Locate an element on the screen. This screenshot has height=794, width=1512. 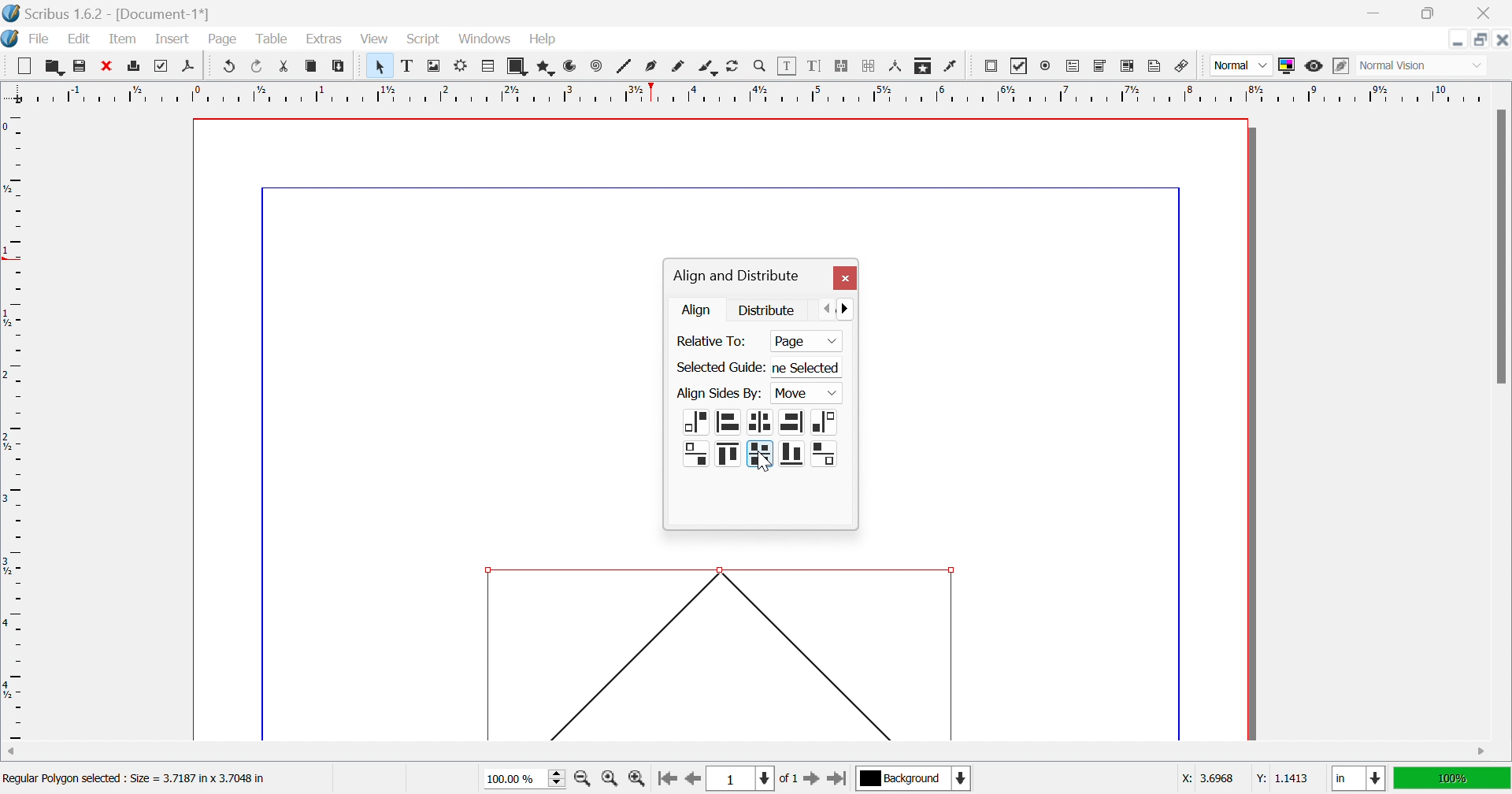
Script is located at coordinates (428, 40).